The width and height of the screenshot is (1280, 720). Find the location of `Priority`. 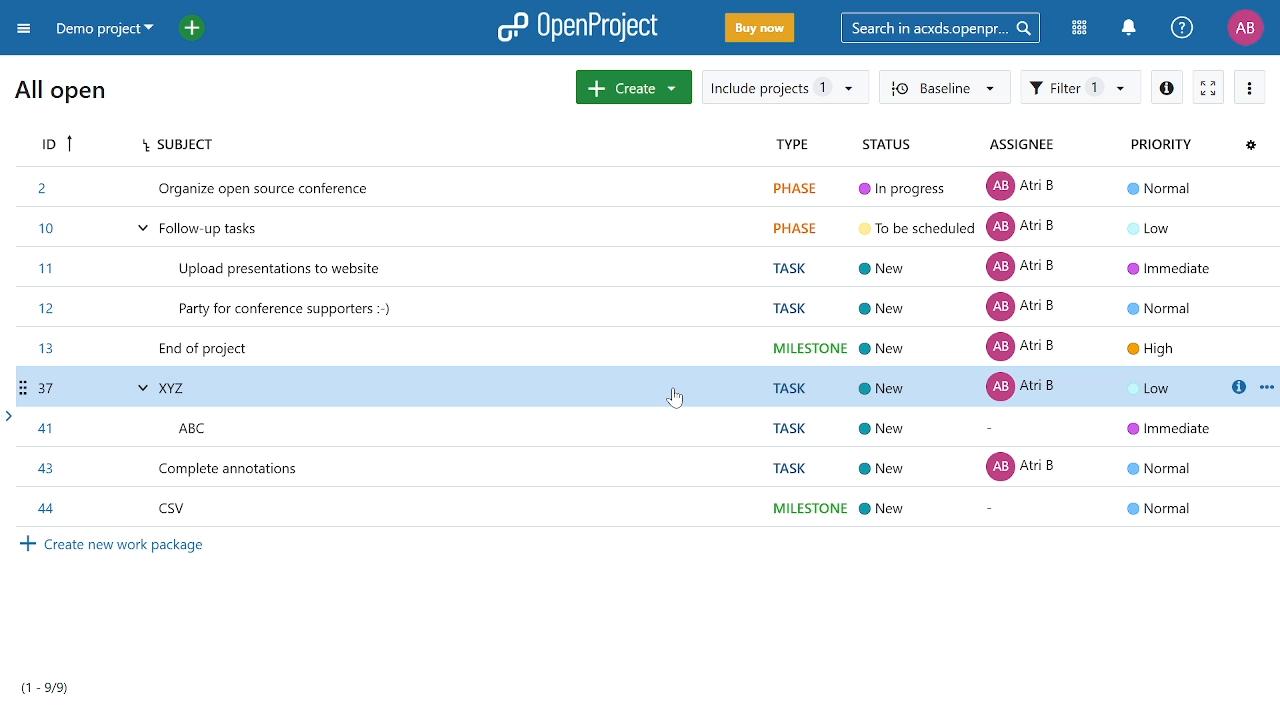

Priority is located at coordinates (1166, 147).